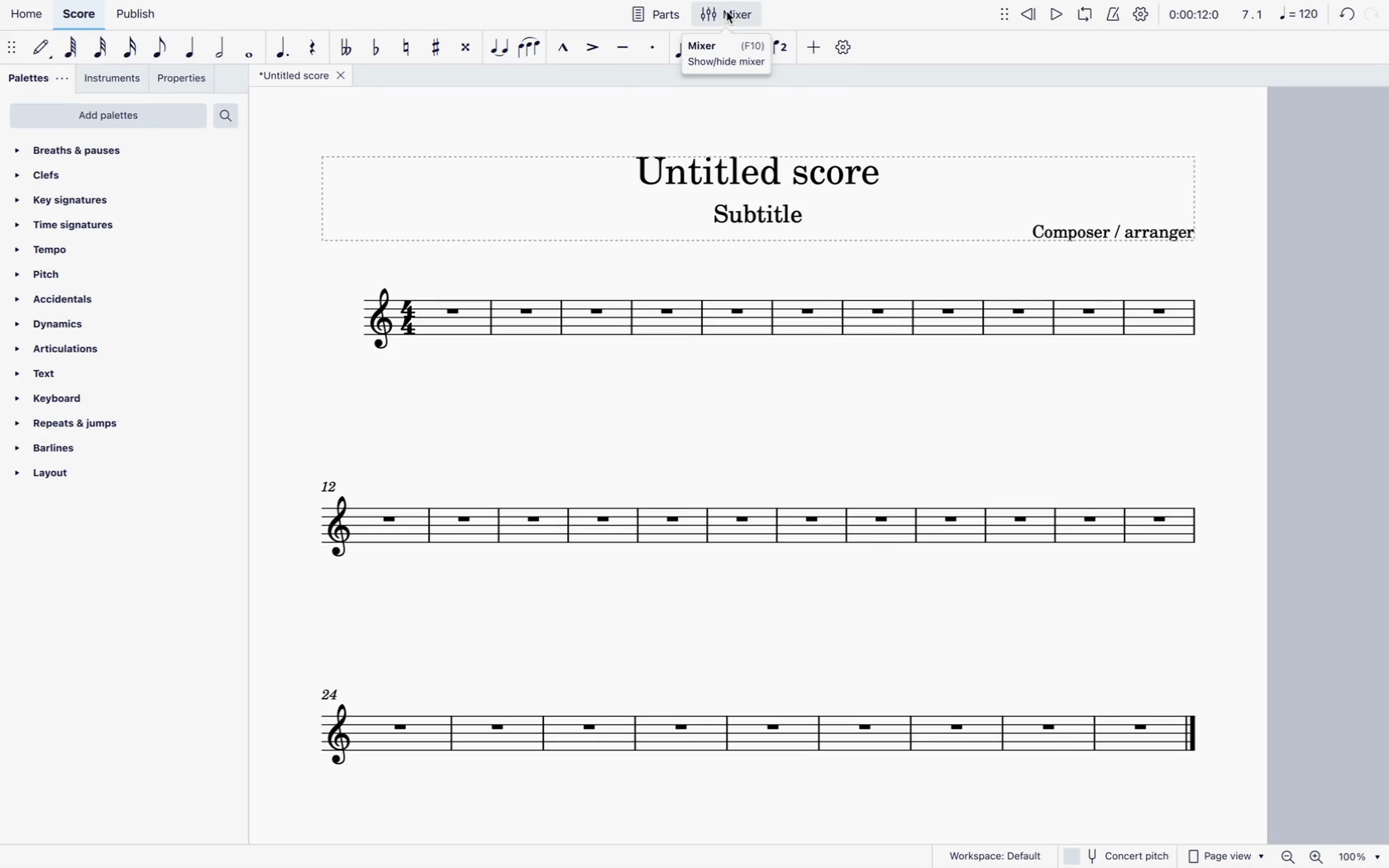 This screenshot has height=868, width=1389. What do you see at coordinates (1086, 17) in the screenshot?
I see `loop playback` at bounding box center [1086, 17].